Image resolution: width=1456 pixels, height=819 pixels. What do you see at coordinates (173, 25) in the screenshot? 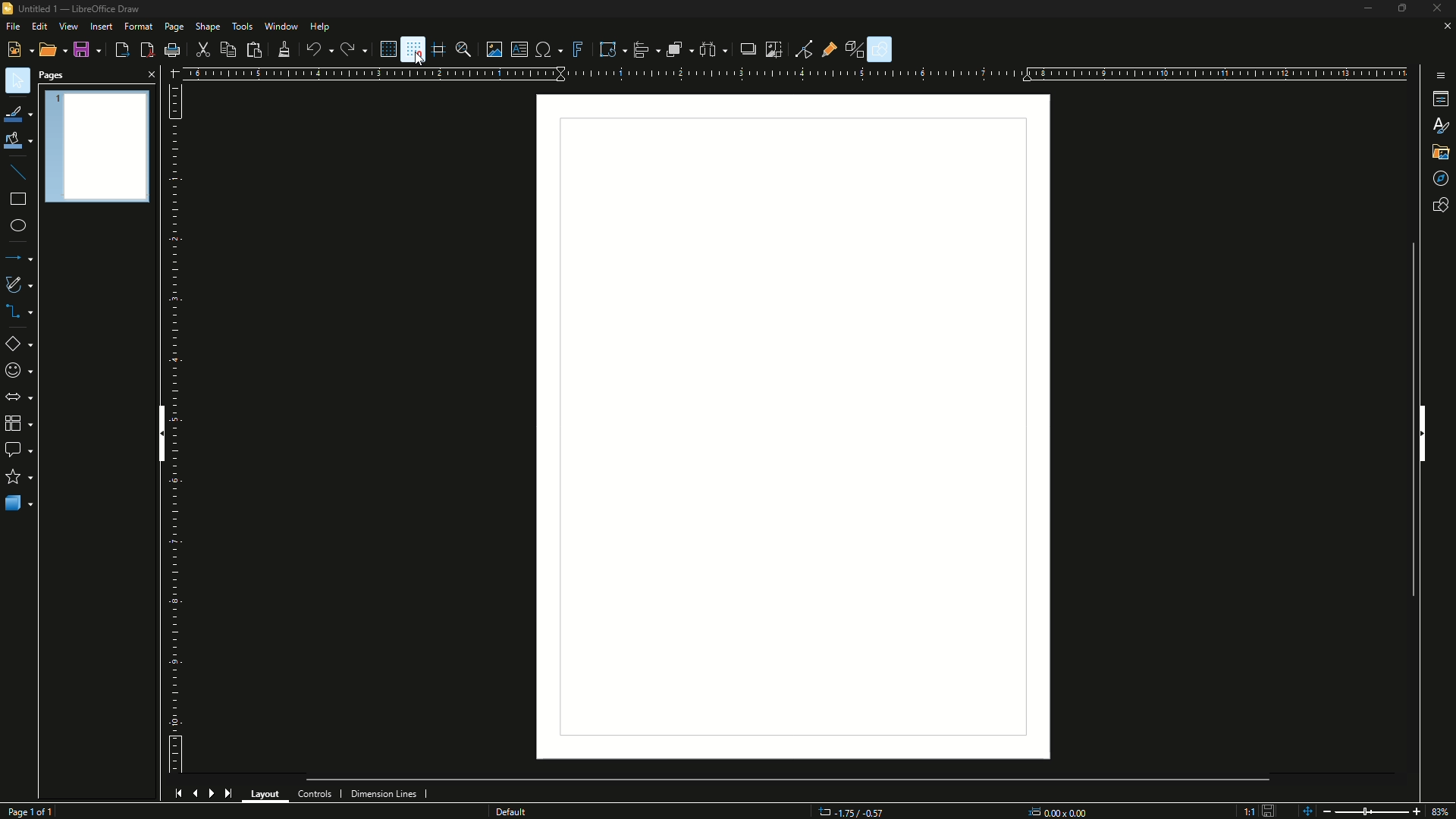
I see `Page` at bounding box center [173, 25].